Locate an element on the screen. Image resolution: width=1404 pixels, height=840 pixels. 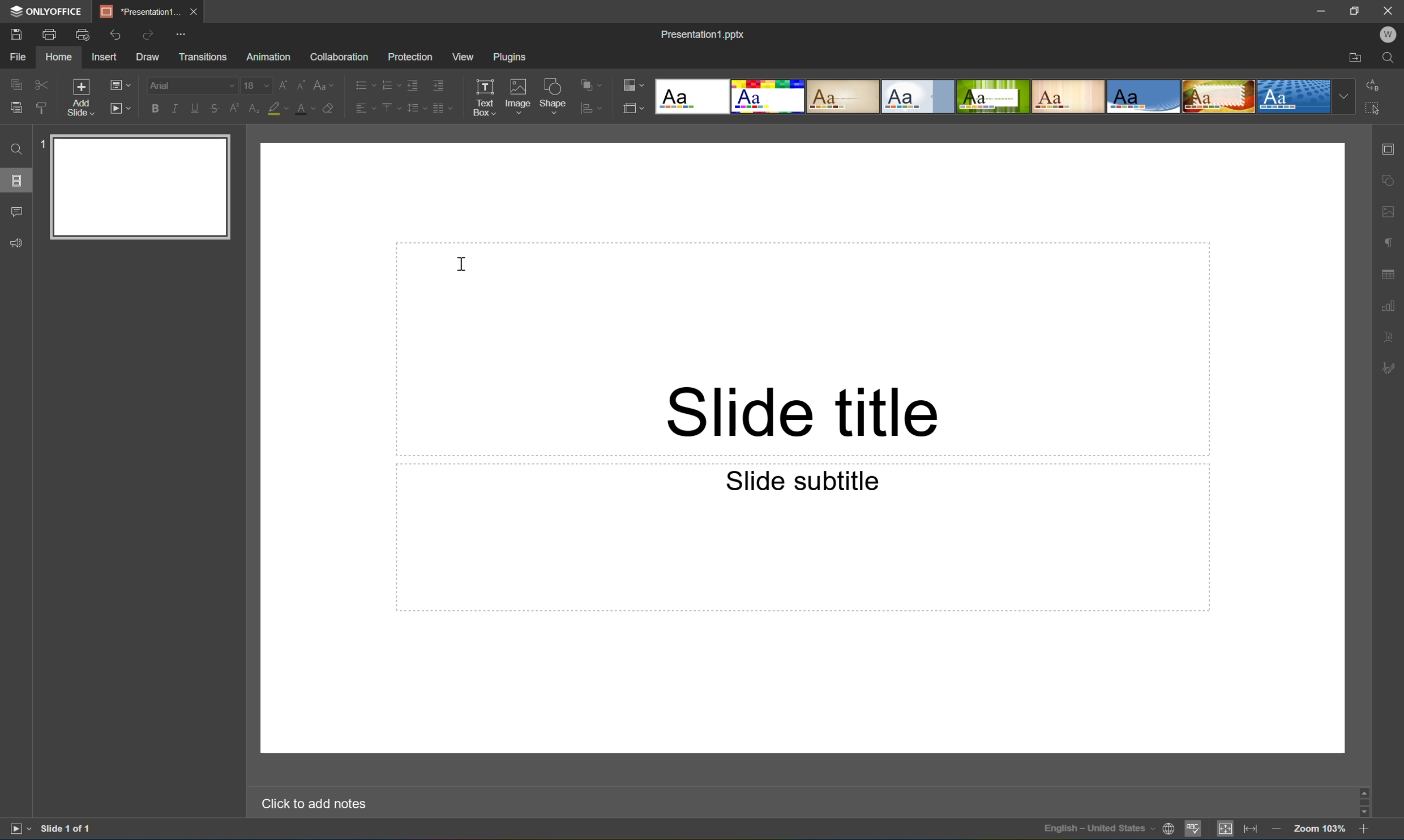
Welcome is located at coordinates (1389, 34).